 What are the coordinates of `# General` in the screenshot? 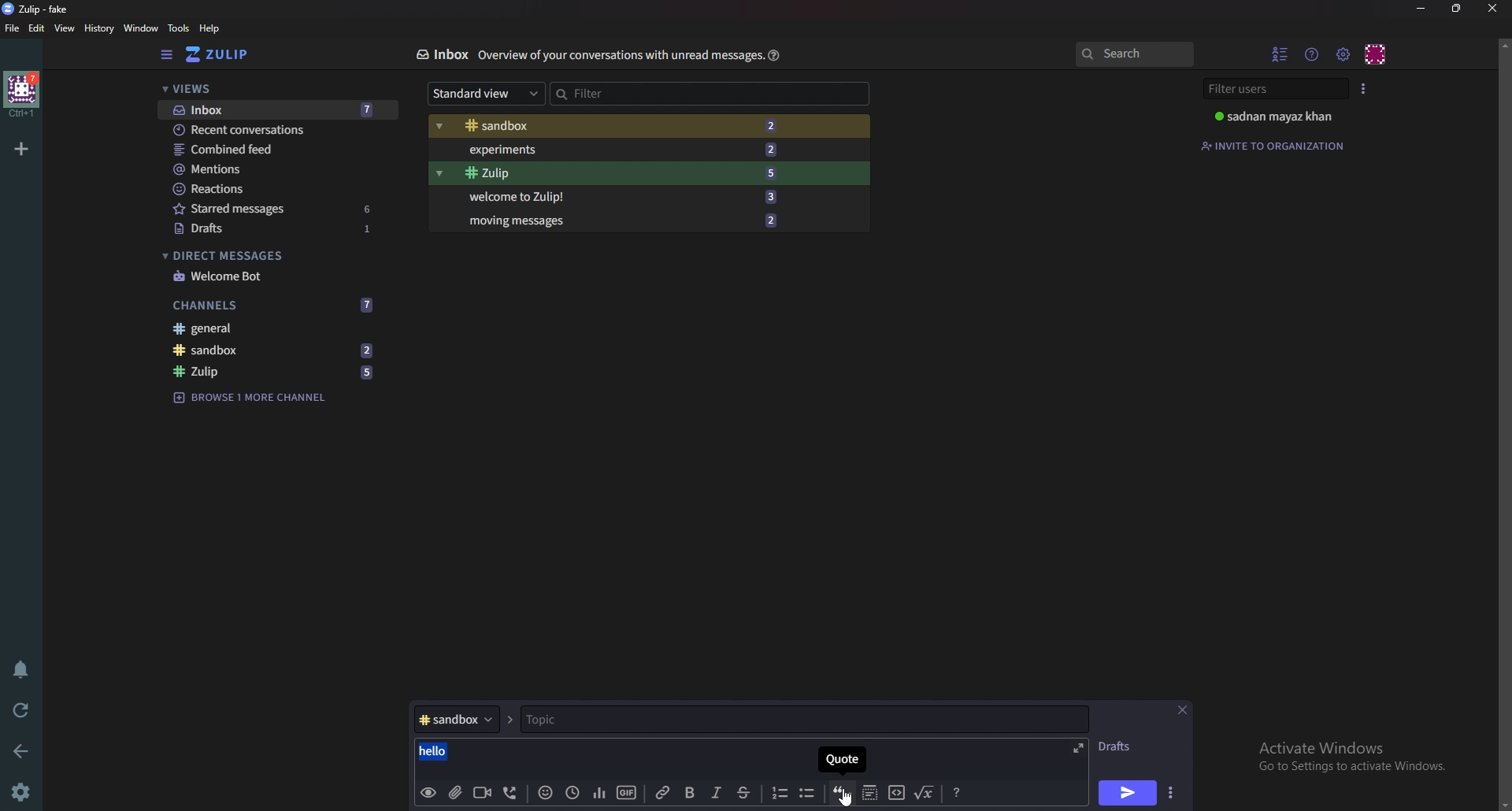 It's located at (278, 328).